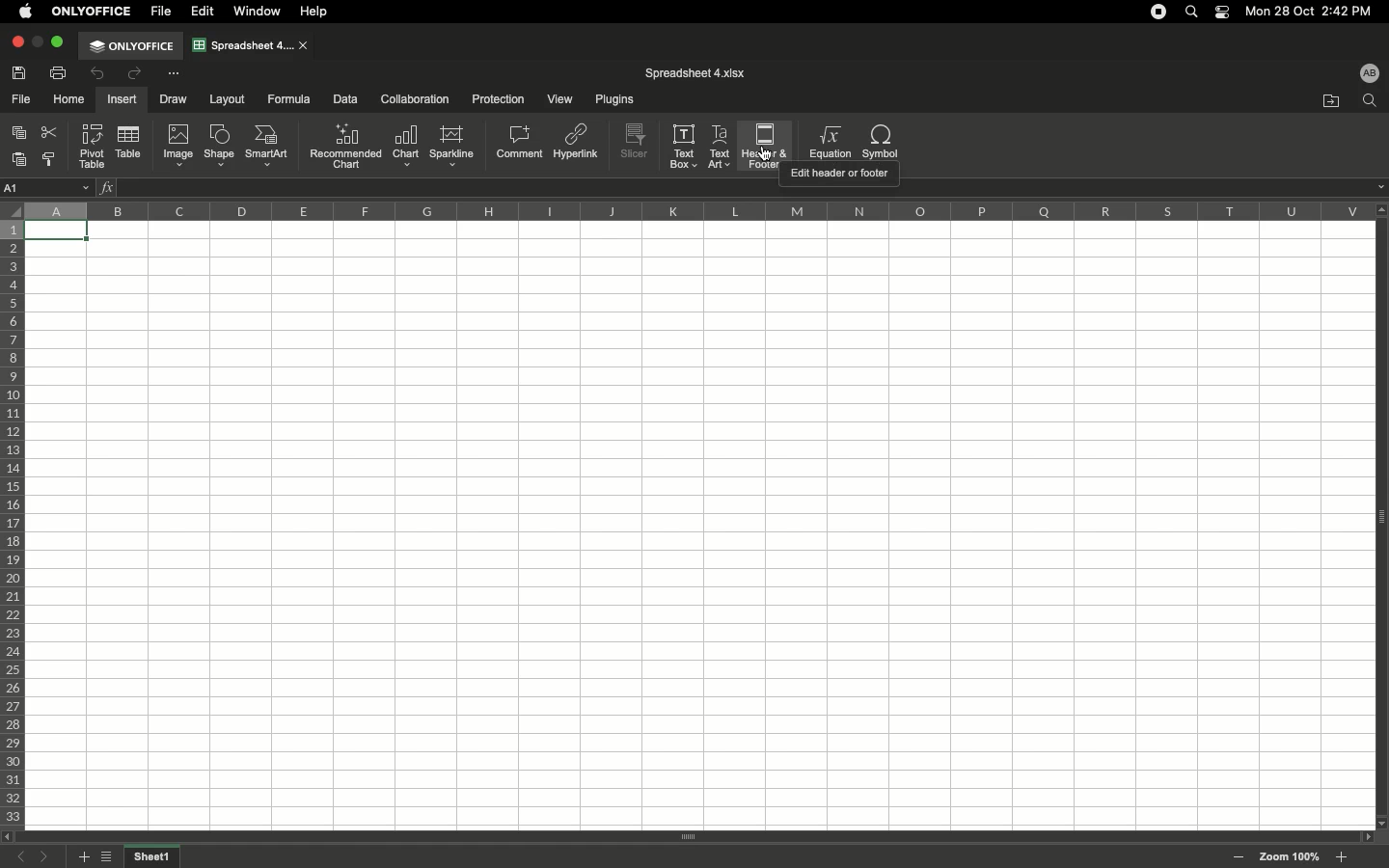  What do you see at coordinates (764, 155) in the screenshot?
I see `cursor` at bounding box center [764, 155].